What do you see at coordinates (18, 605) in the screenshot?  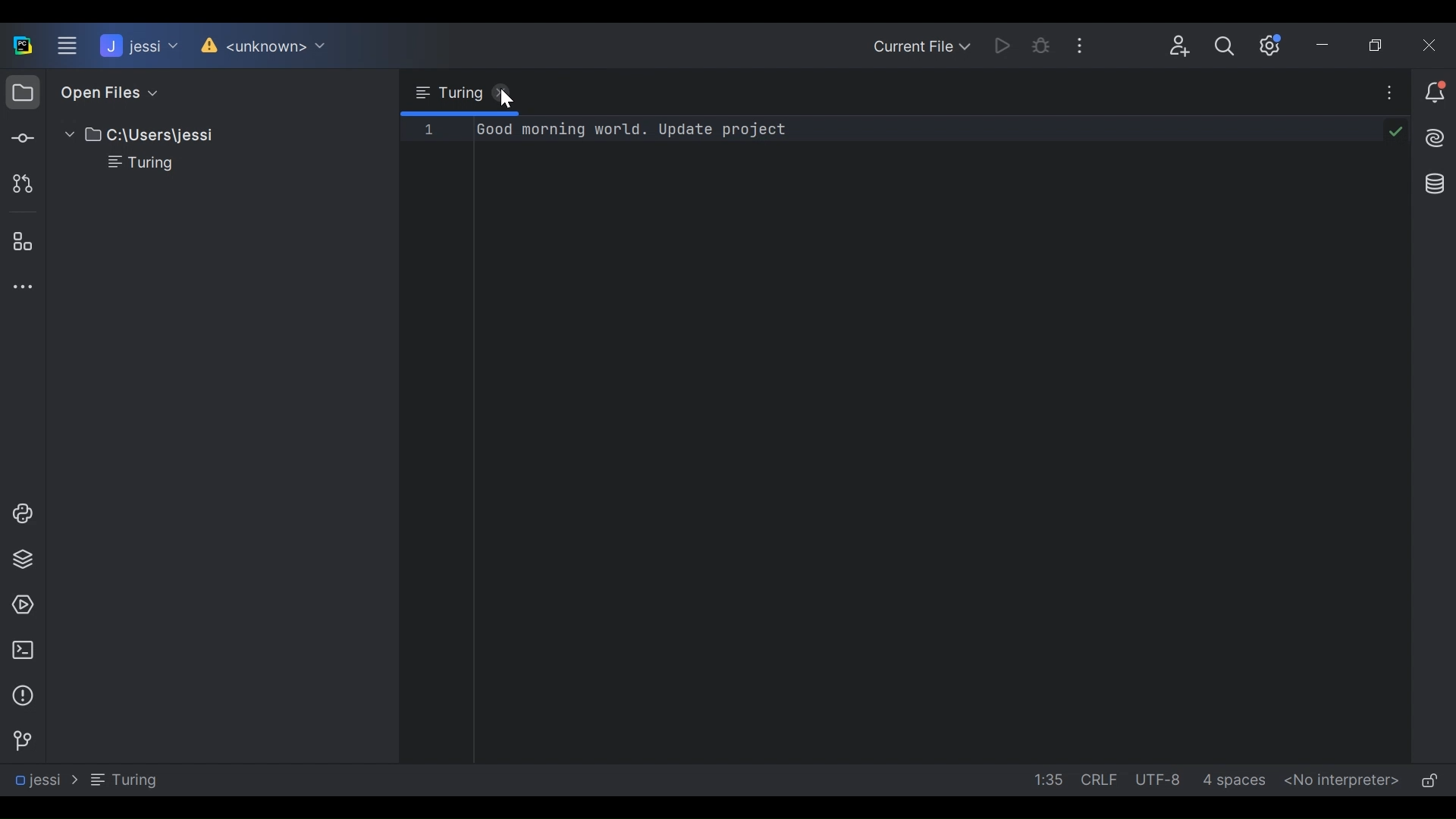 I see `Services` at bounding box center [18, 605].